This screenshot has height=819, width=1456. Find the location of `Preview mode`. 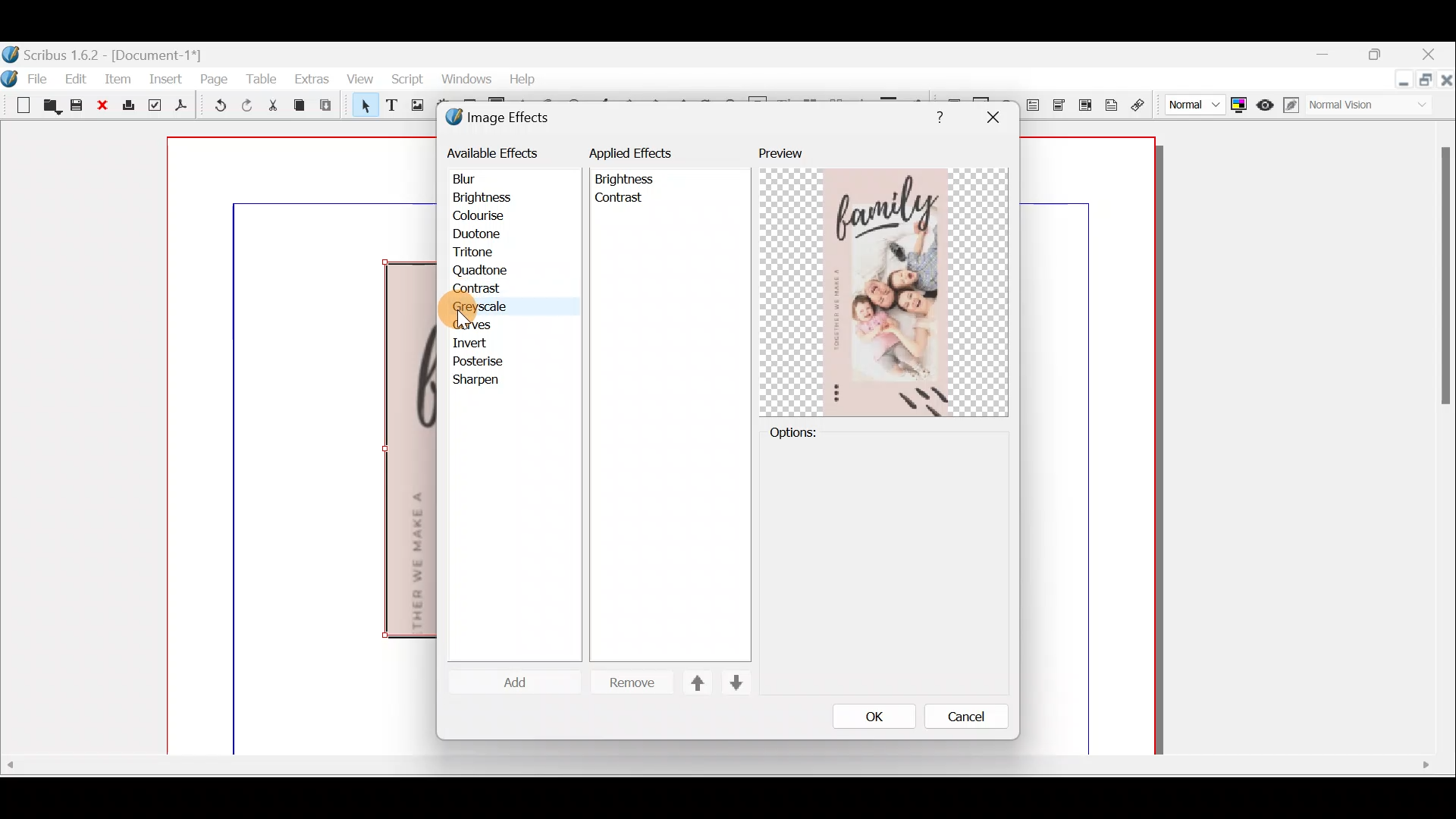

Preview mode is located at coordinates (1262, 102).